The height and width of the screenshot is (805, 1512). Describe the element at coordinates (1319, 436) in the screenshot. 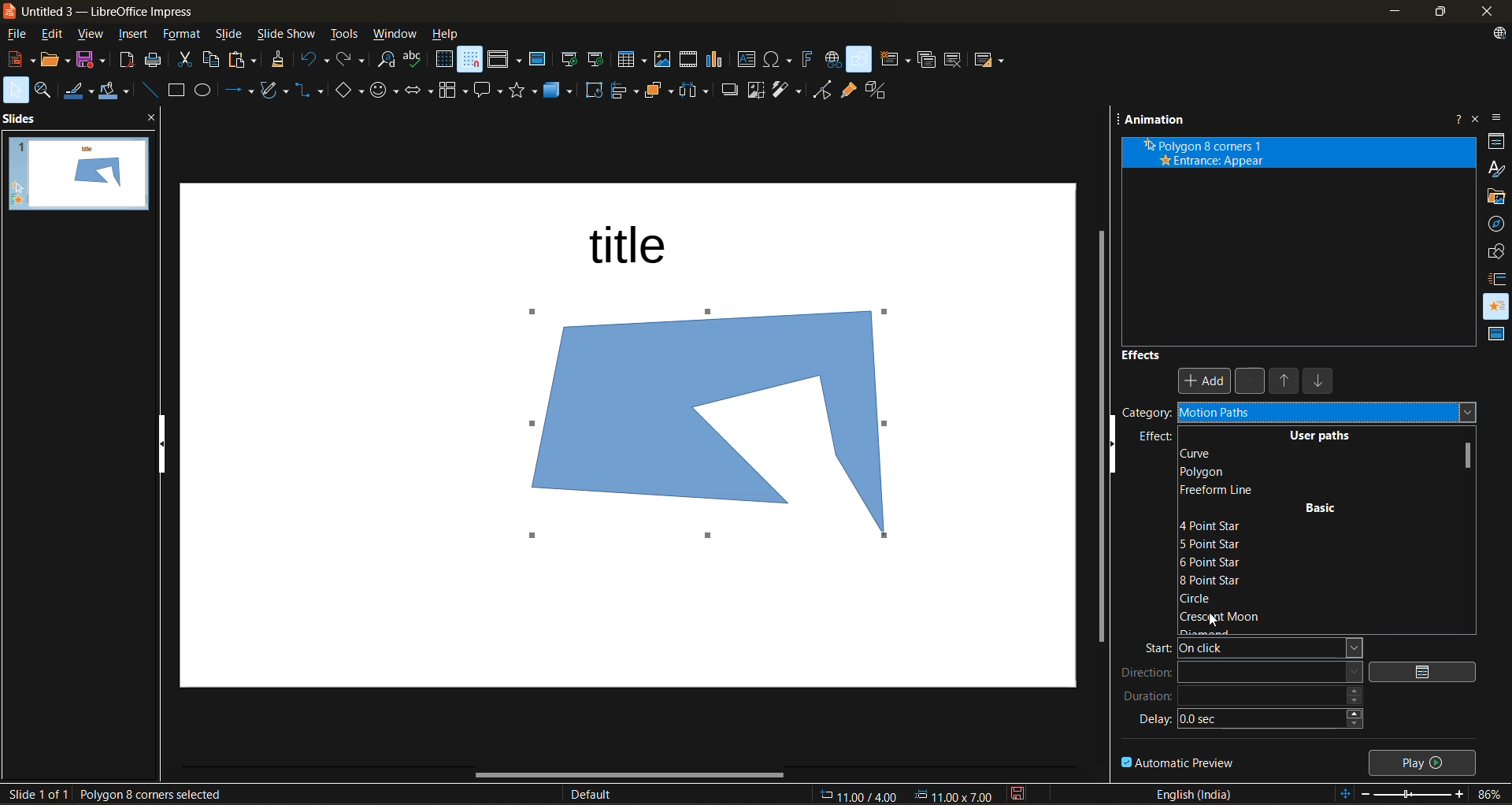

I see `user paths` at that location.